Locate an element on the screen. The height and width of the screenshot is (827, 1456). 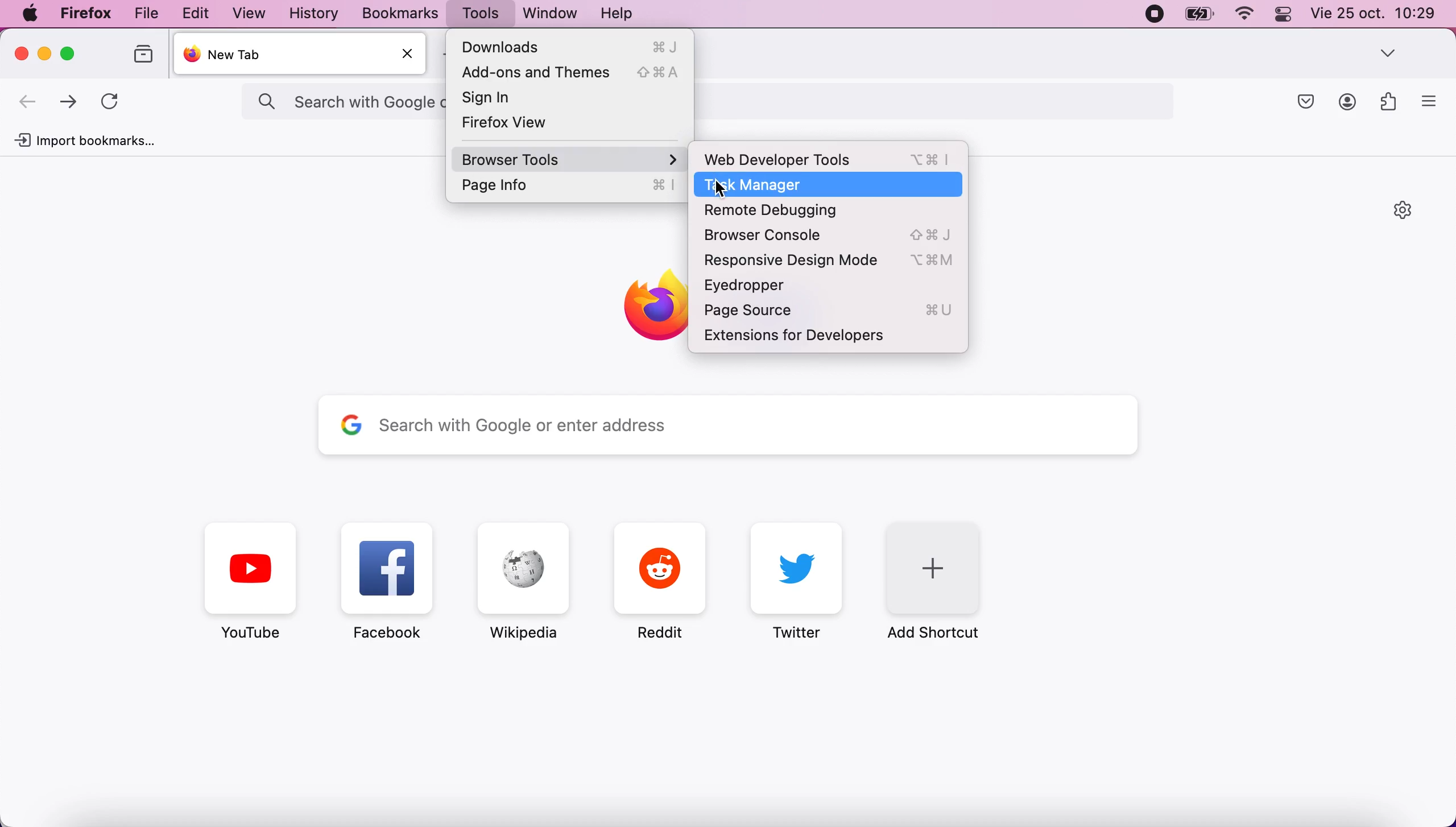
Downloads is located at coordinates (570, 47).